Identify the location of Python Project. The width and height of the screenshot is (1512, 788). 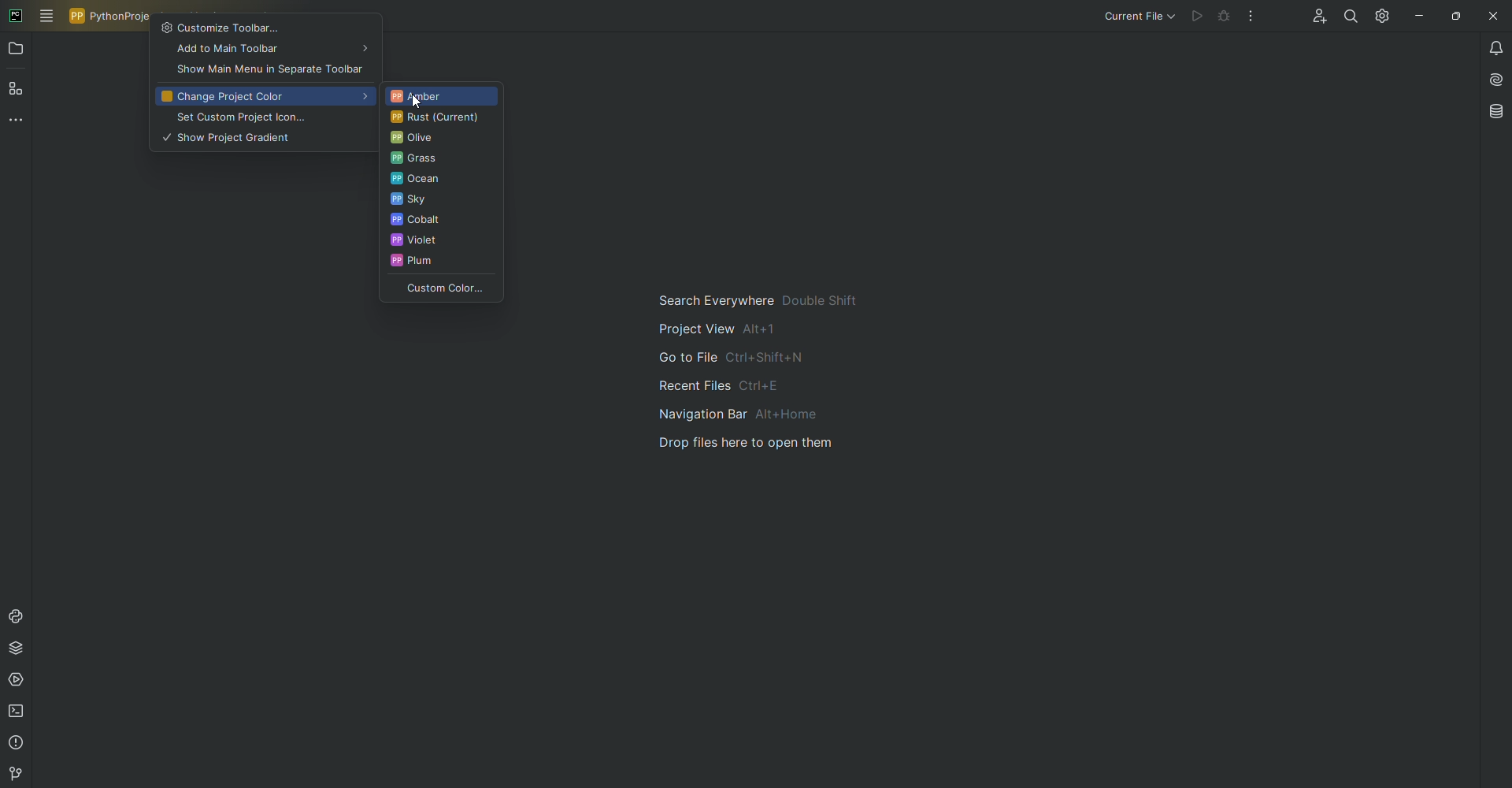
(112, 16).